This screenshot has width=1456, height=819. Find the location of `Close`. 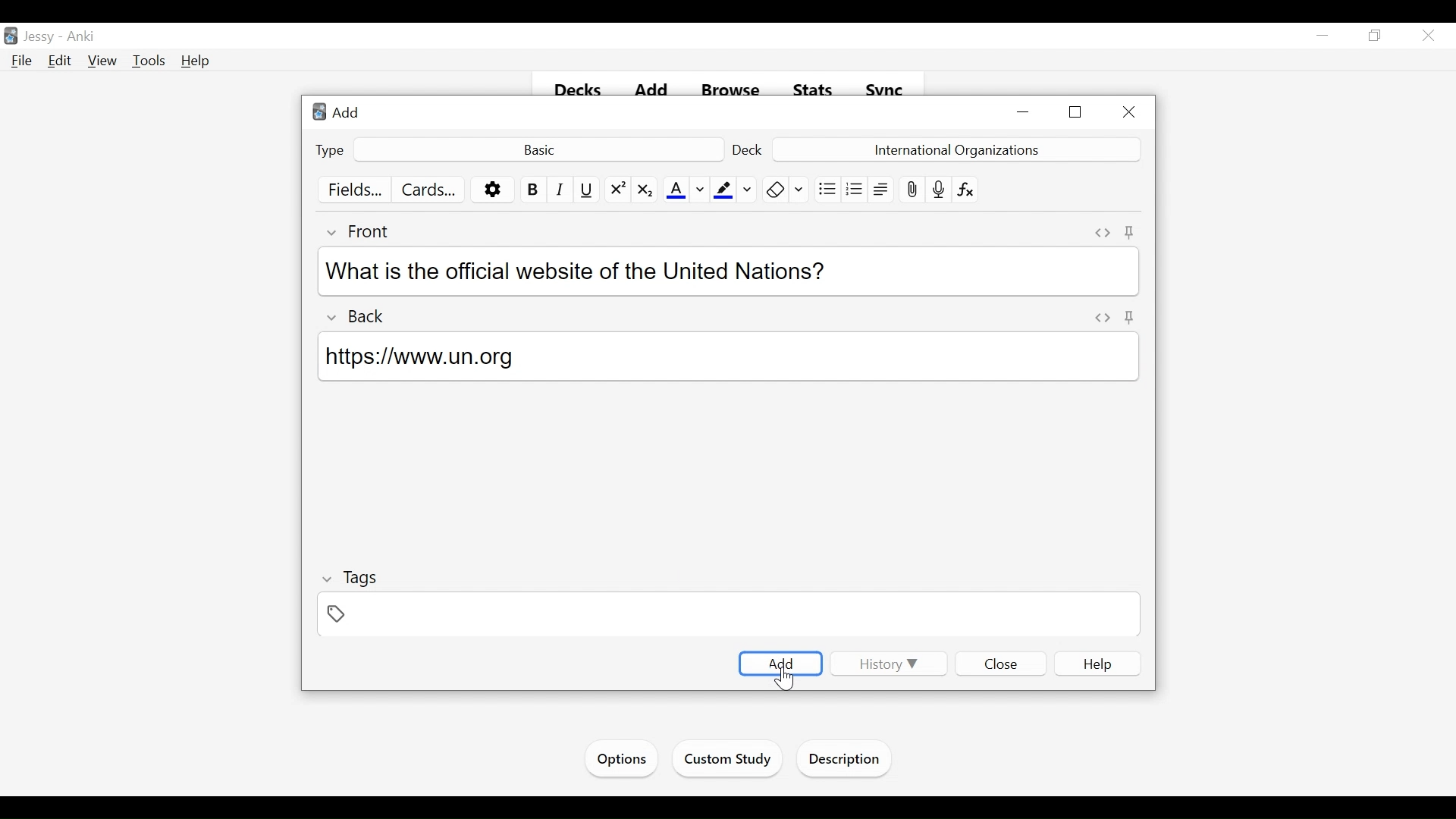

Close is located at coordinates (1430, 35).